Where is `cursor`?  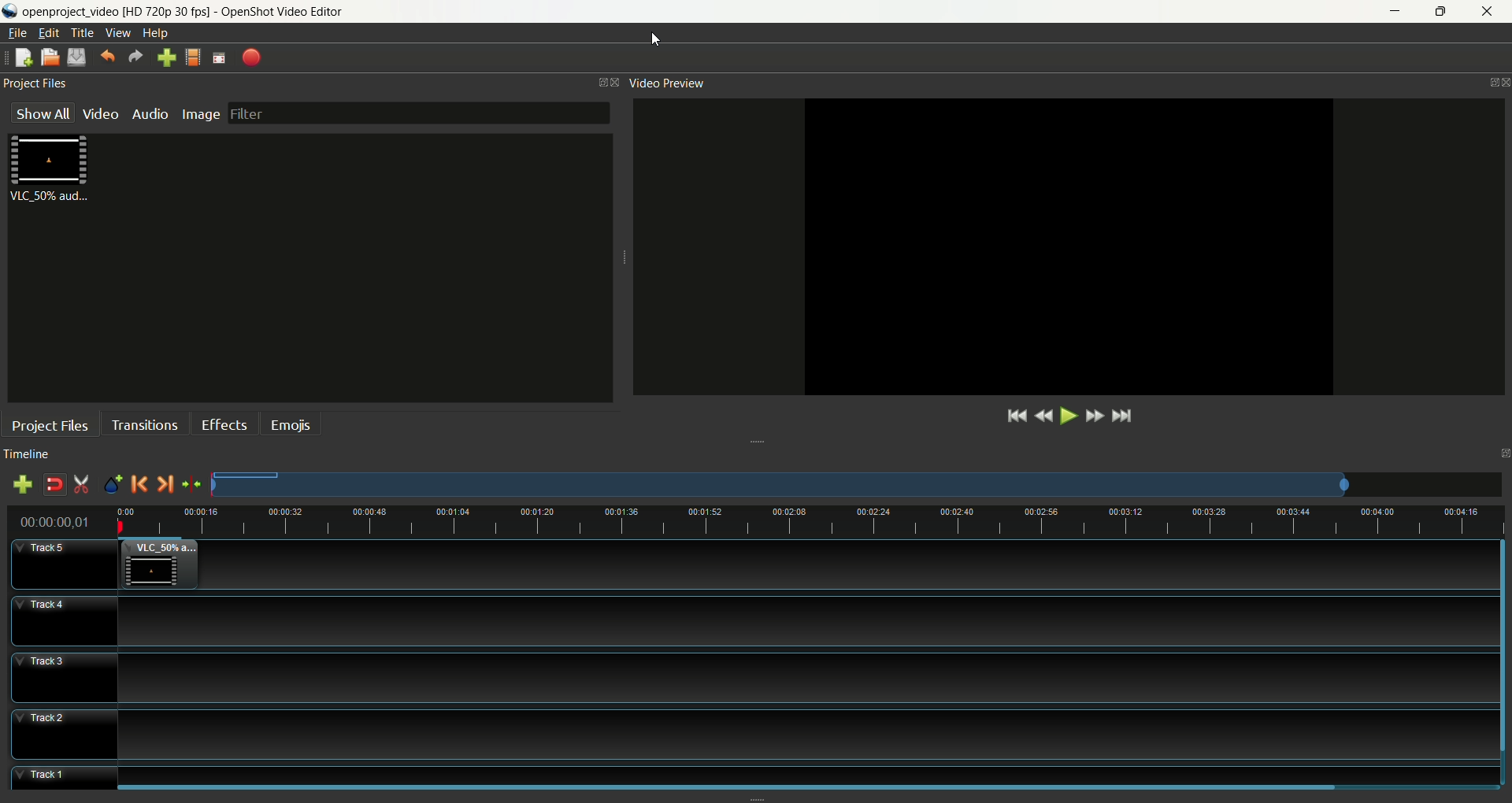 cursor is located at coordinates (658, 39).